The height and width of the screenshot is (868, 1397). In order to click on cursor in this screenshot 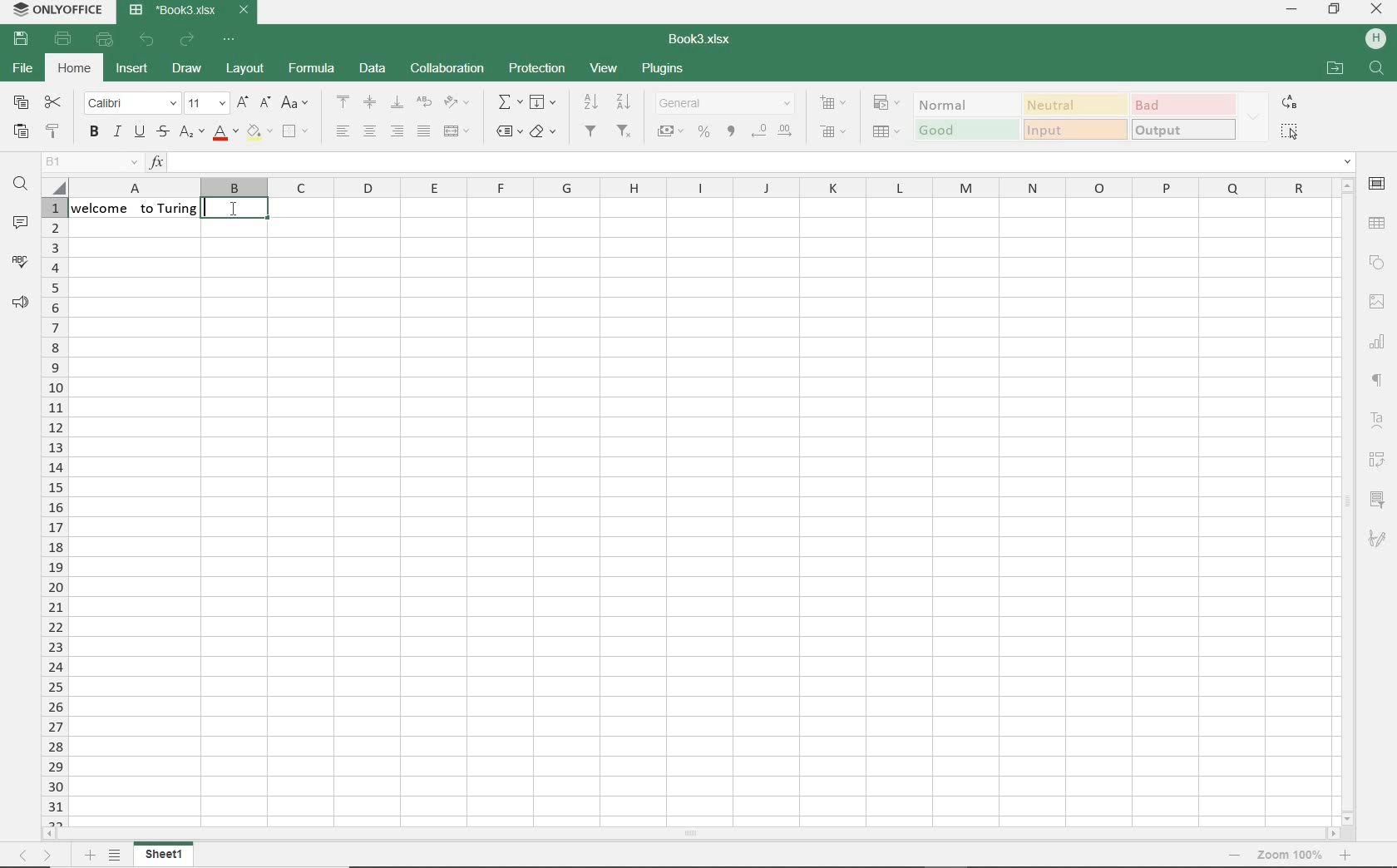, I will do `click(236, 219)`.